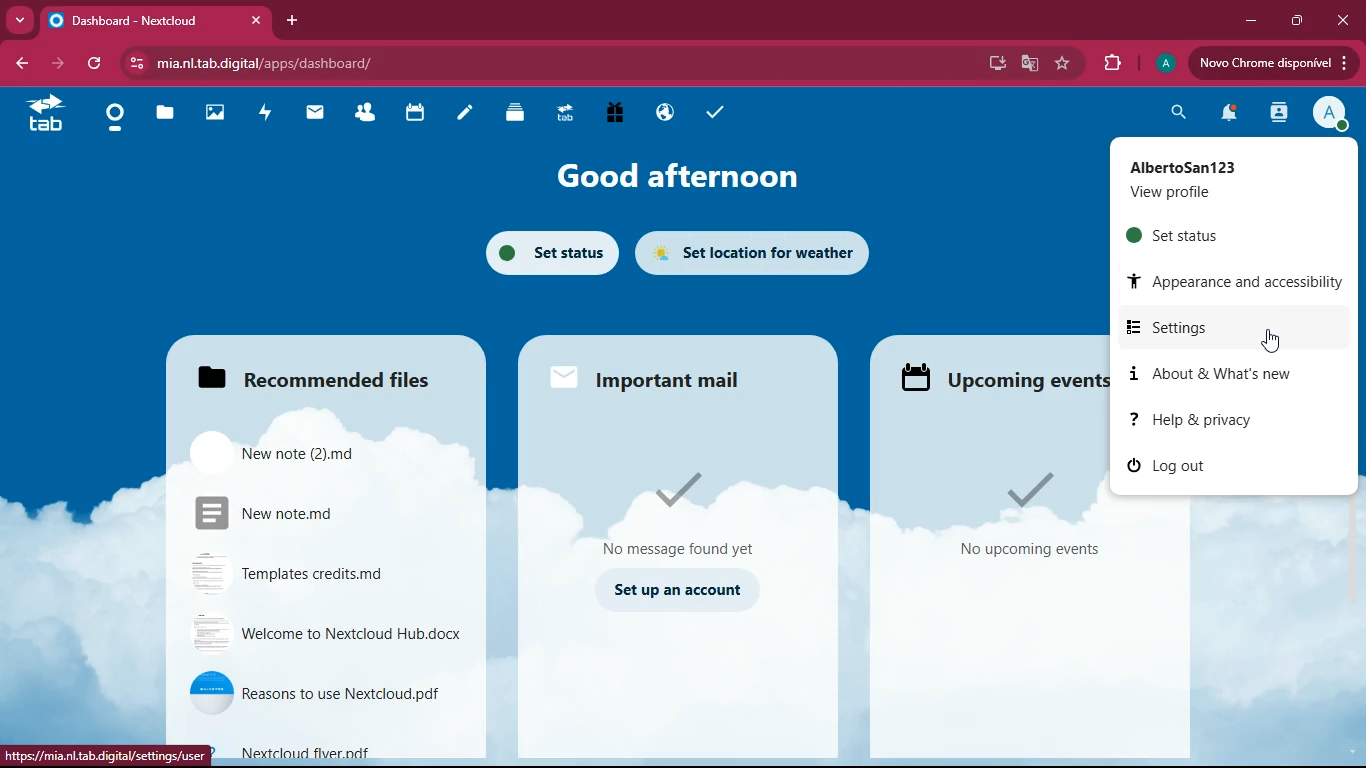 This screenshot has width=1366, height=768. Describe the element at coordinates (1271, 63) in the screenshot. I see `update` at that location.